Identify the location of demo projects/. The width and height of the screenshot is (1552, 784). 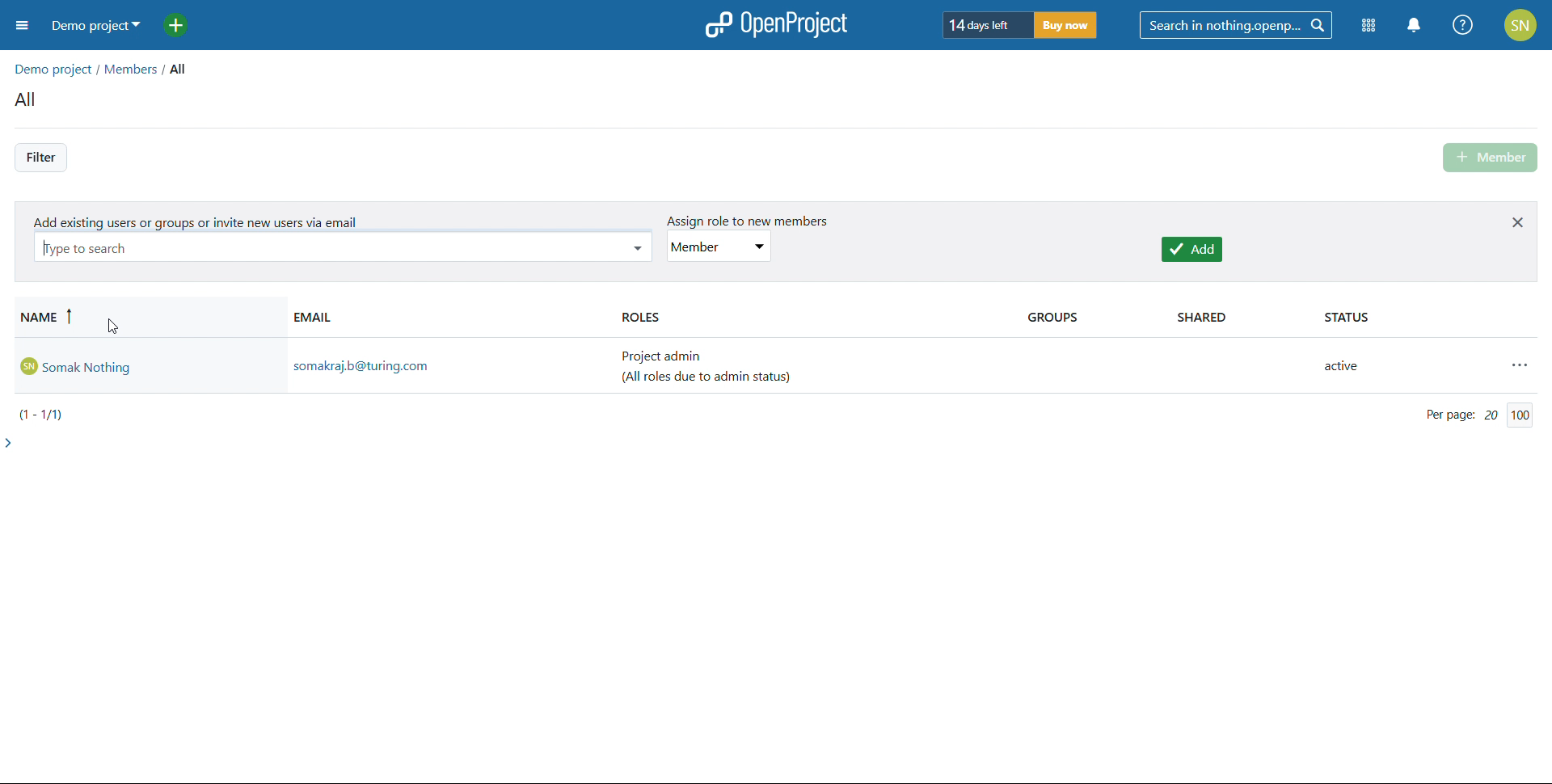
(55, 67).